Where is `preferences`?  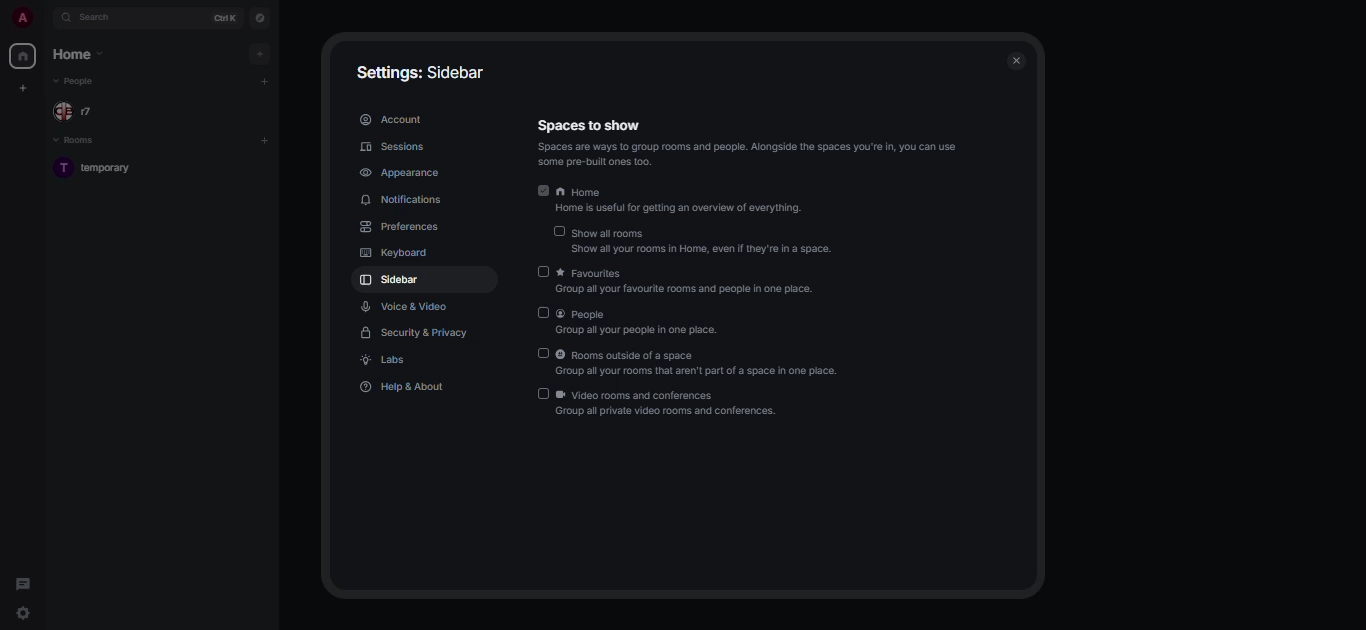 preferences is located at coordinates (403, 228).